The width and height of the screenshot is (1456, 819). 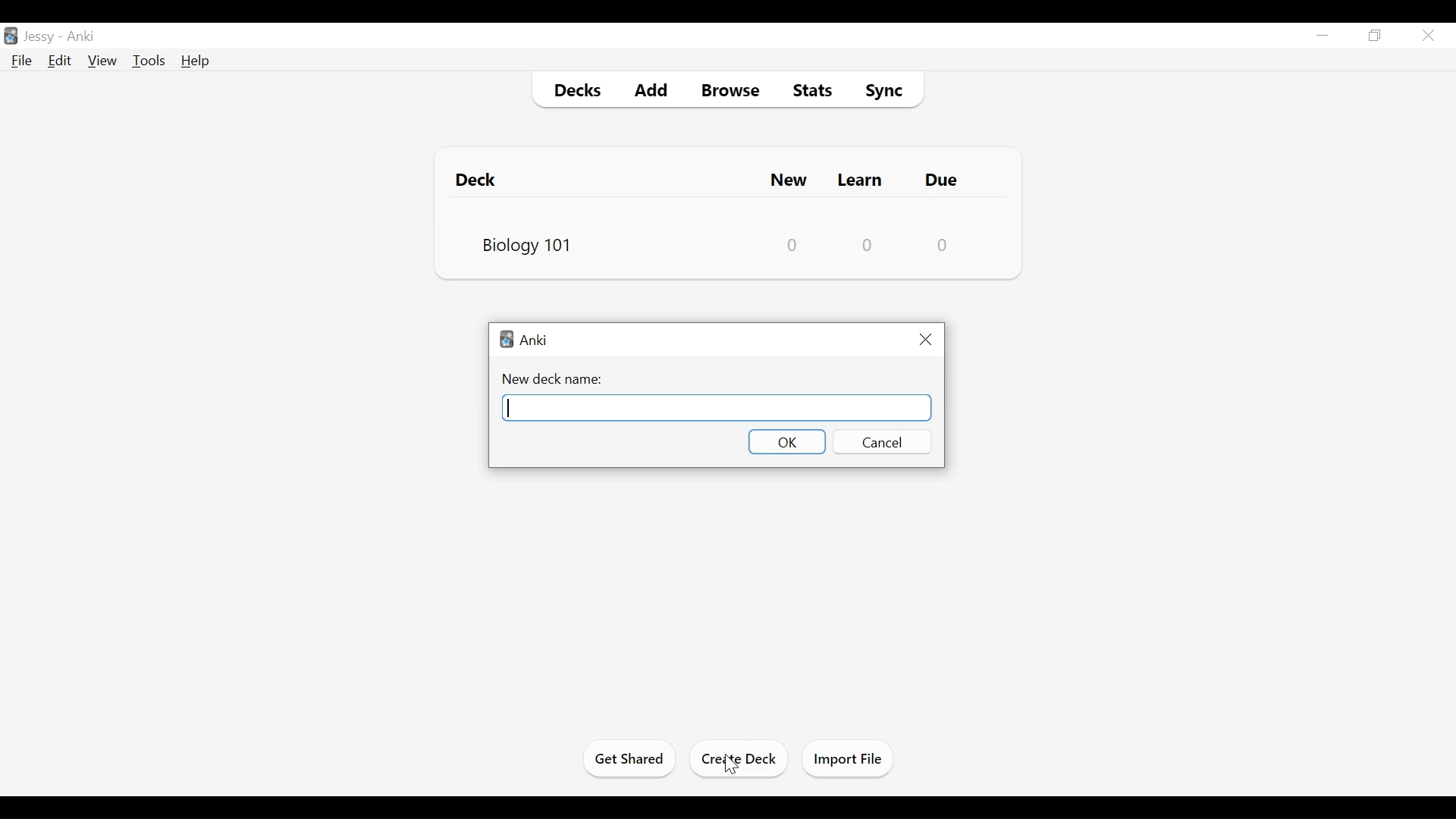 What do you see at coordinates (12, 36) in the screenshot?
I see `Anki Desktop icon` at bounding box center [12, 36].